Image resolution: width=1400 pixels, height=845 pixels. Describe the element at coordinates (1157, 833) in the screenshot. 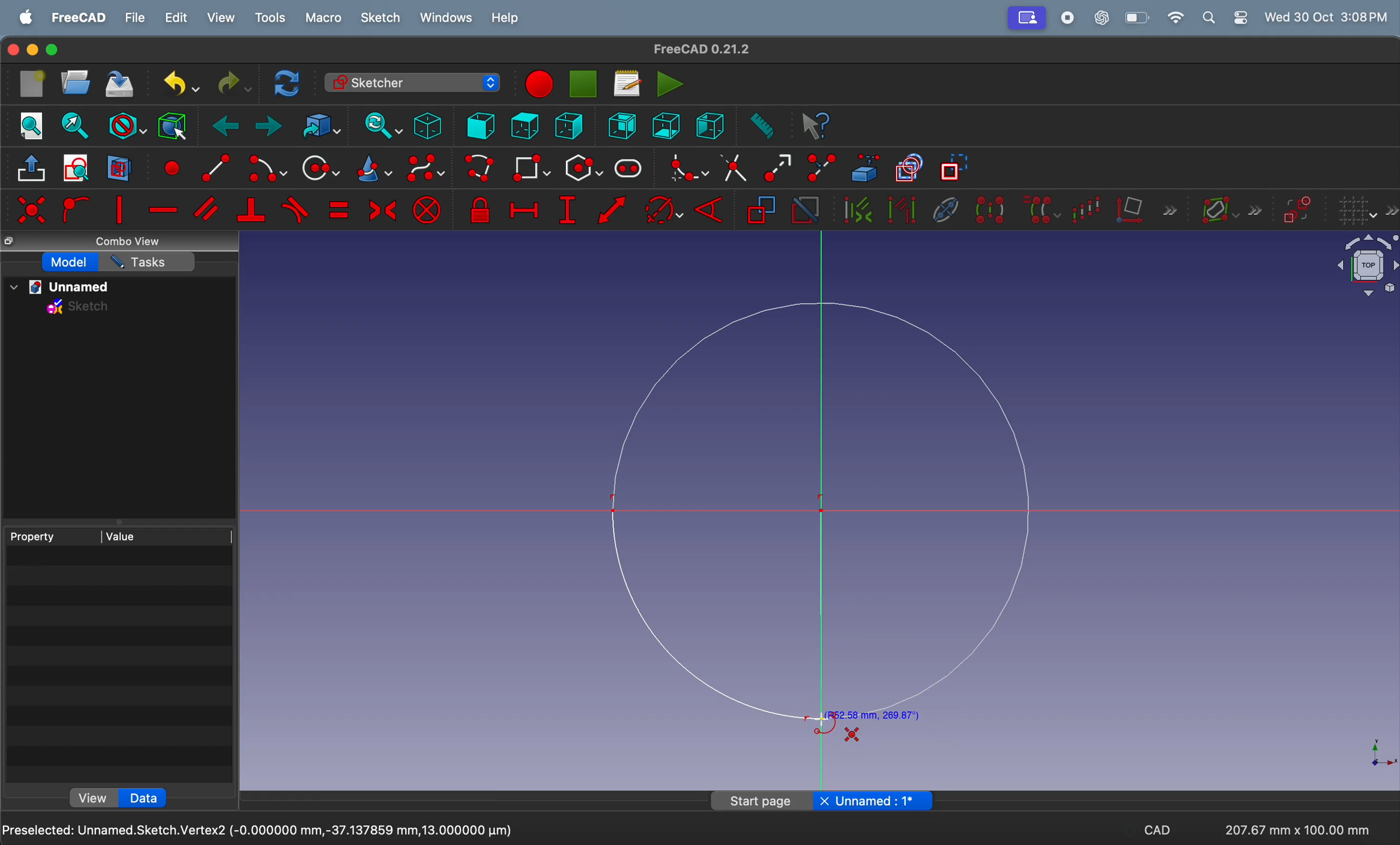

I see `cad` at that location.